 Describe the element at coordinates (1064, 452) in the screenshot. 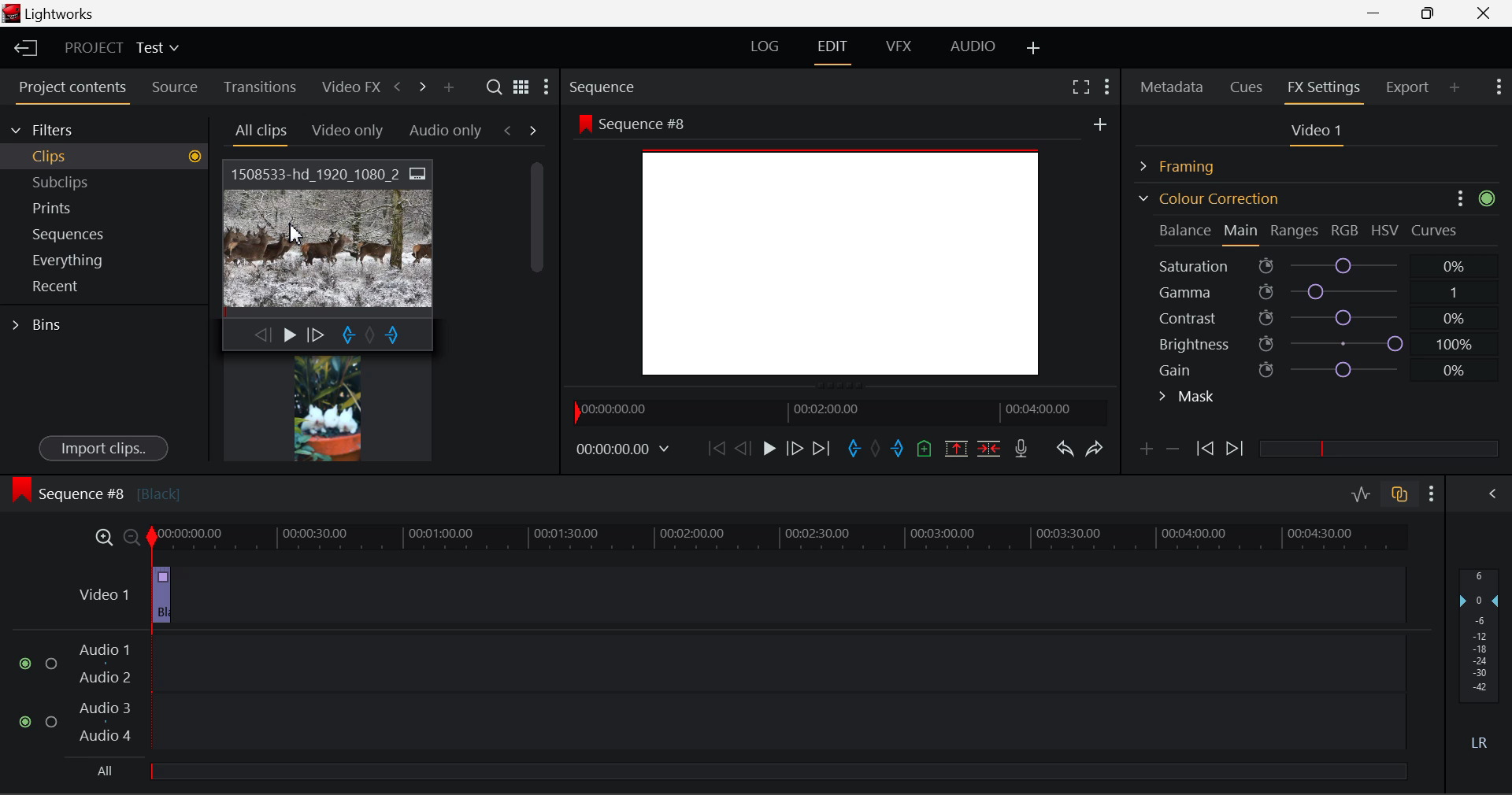

I see `Undo` at that location.